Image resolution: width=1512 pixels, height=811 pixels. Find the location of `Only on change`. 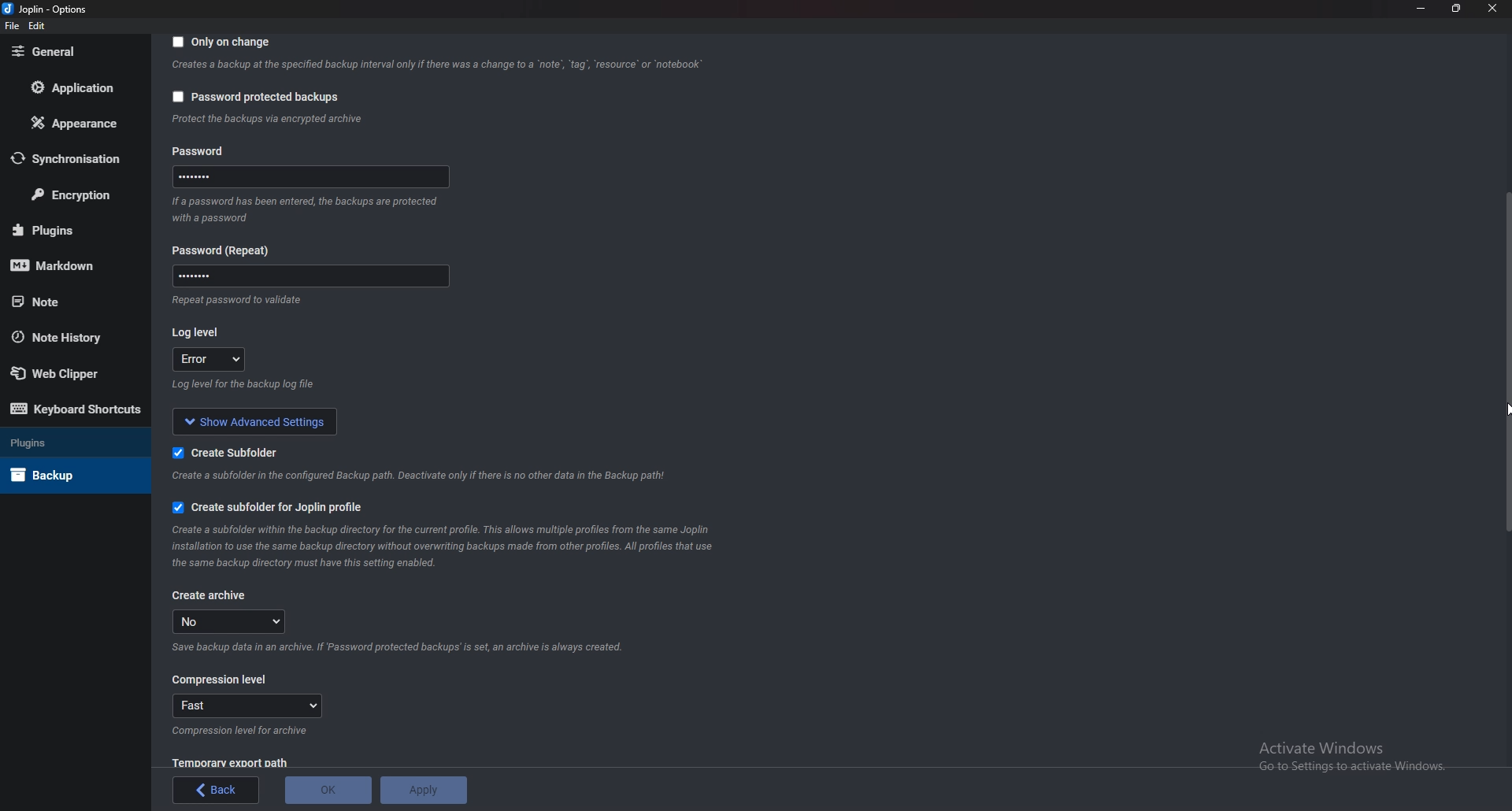

Only on change is located at coordinates (224, 43).